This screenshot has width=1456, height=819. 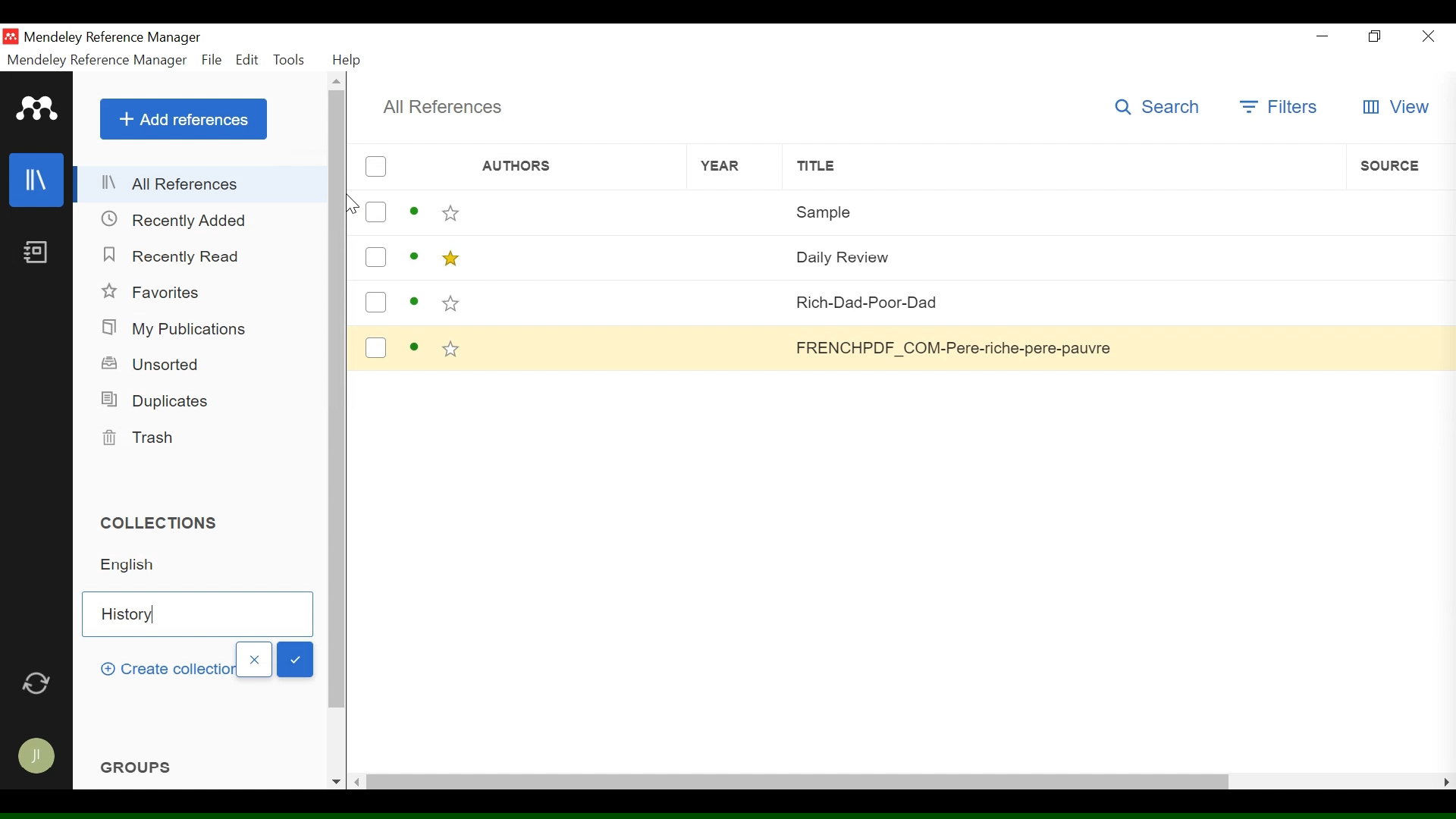 I want to click on OK, so click(x=295, y=660).